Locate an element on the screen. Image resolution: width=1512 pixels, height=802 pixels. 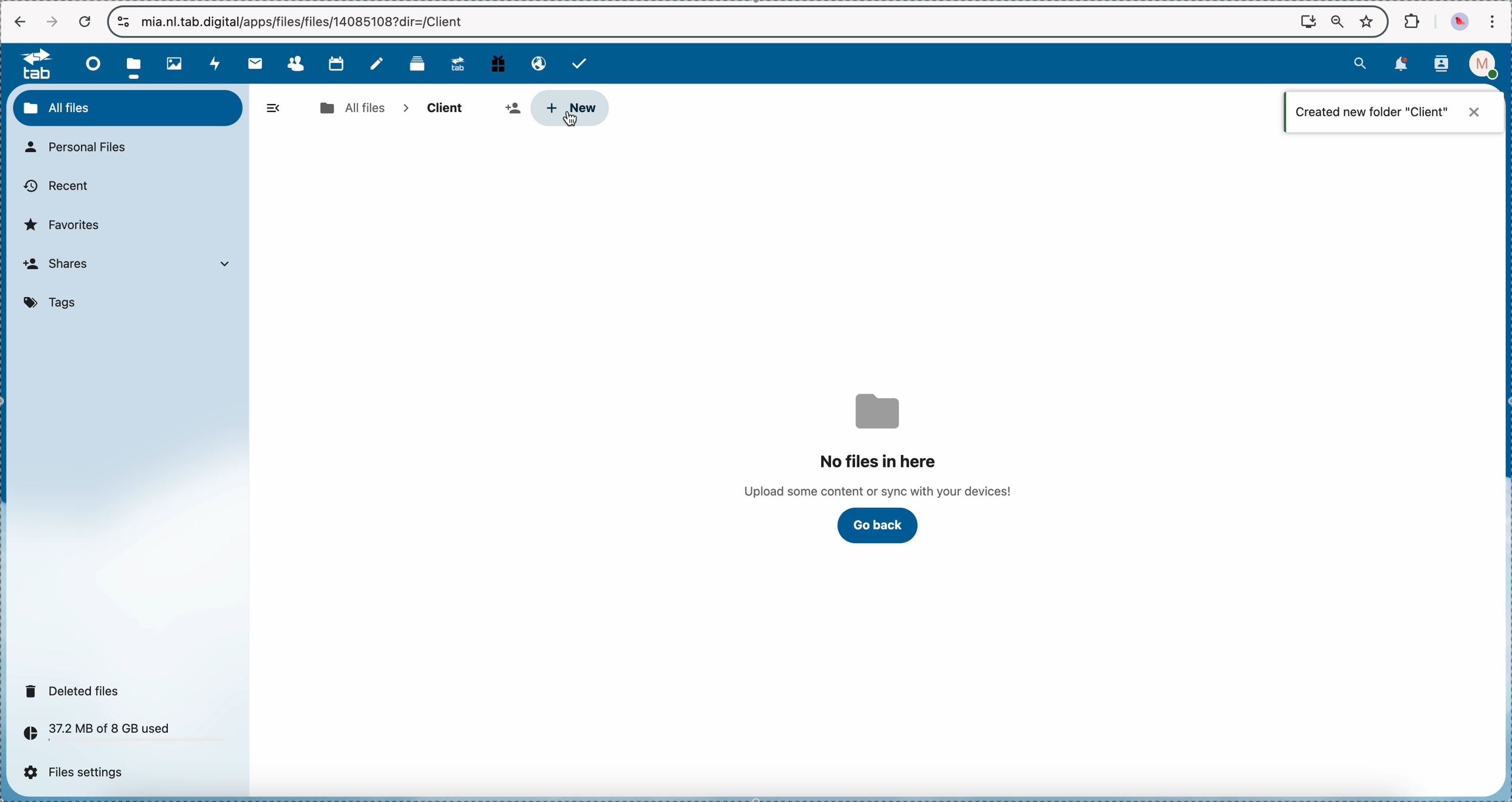
files settings is located at coordinates (79, 773).